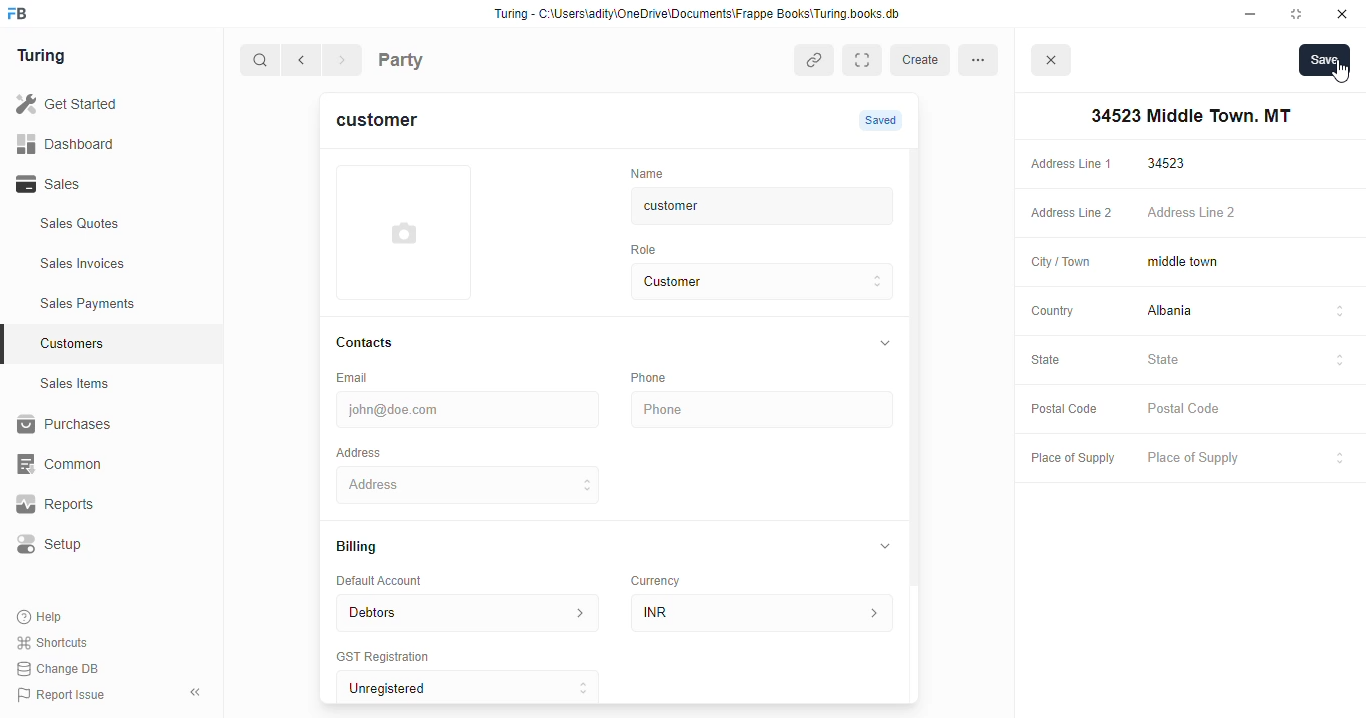 The image size is (1366, 718). I want to click on collapse, so click(883, 344).